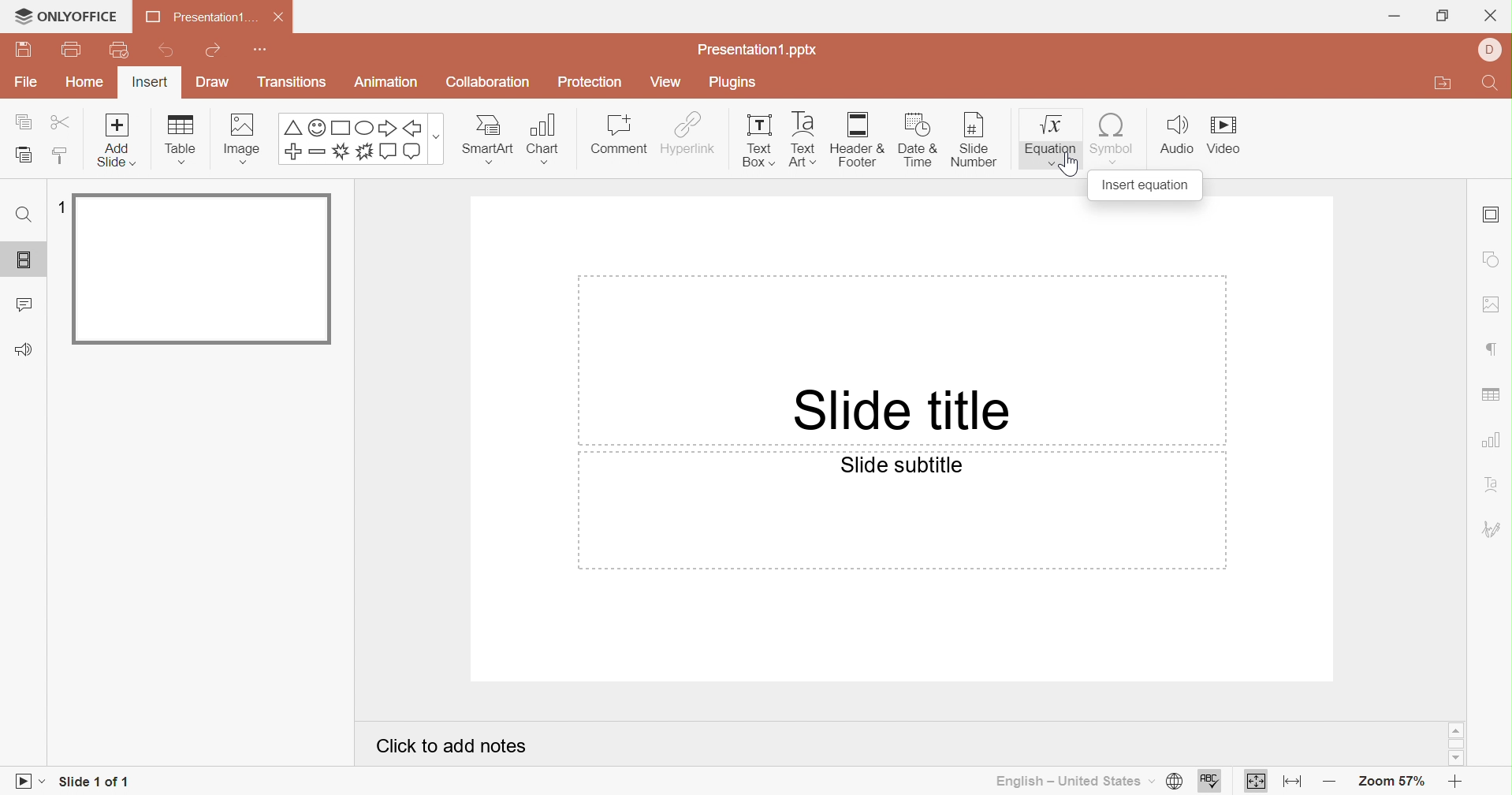 The image size is (1512, 795). Describe the element at coordinates (119, 125) in the screenshot. I see `Add slide` at that location.